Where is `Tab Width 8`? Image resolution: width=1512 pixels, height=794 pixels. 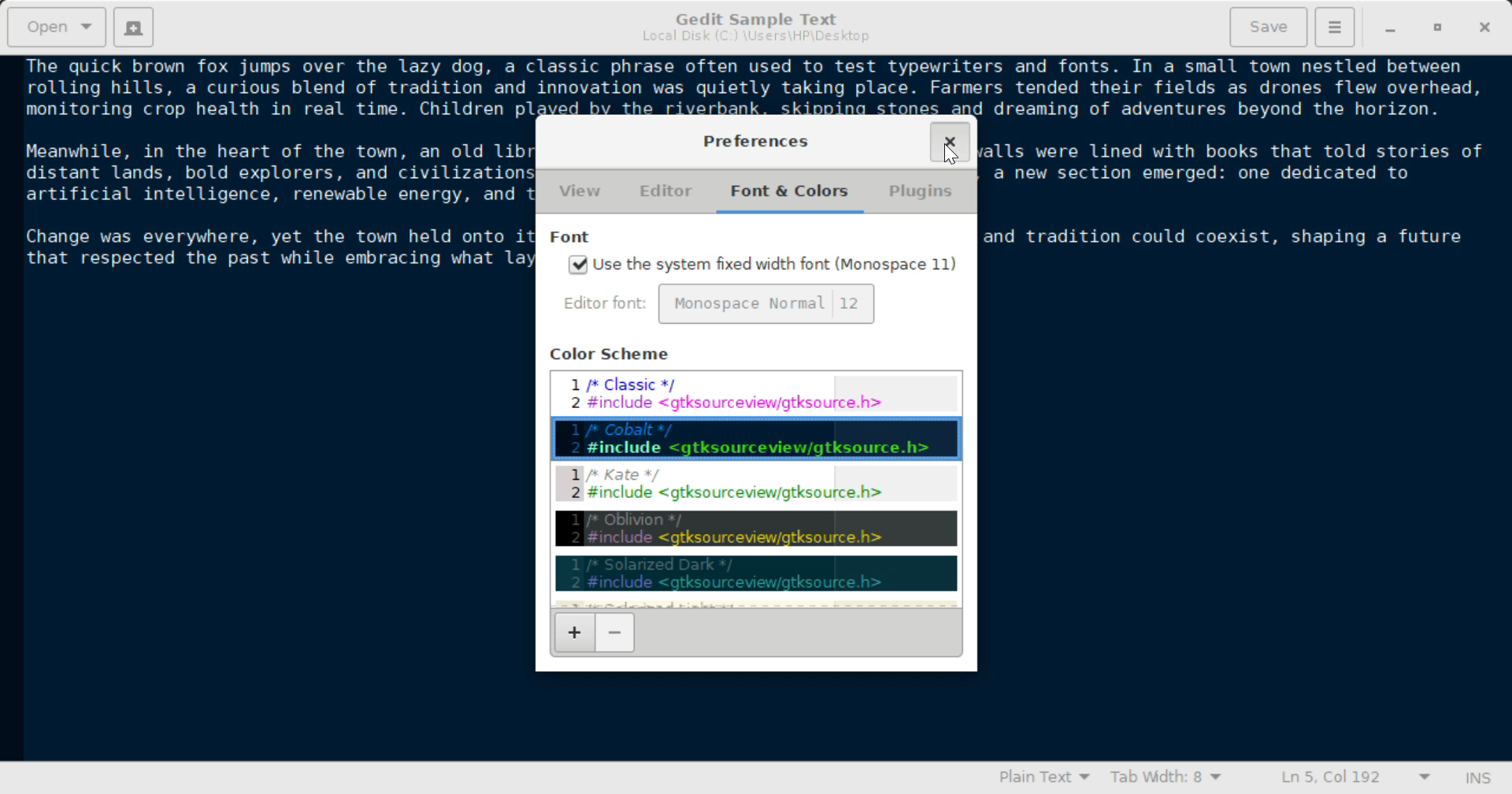 Tab Width 8 is located at coordinates (1163, 779).